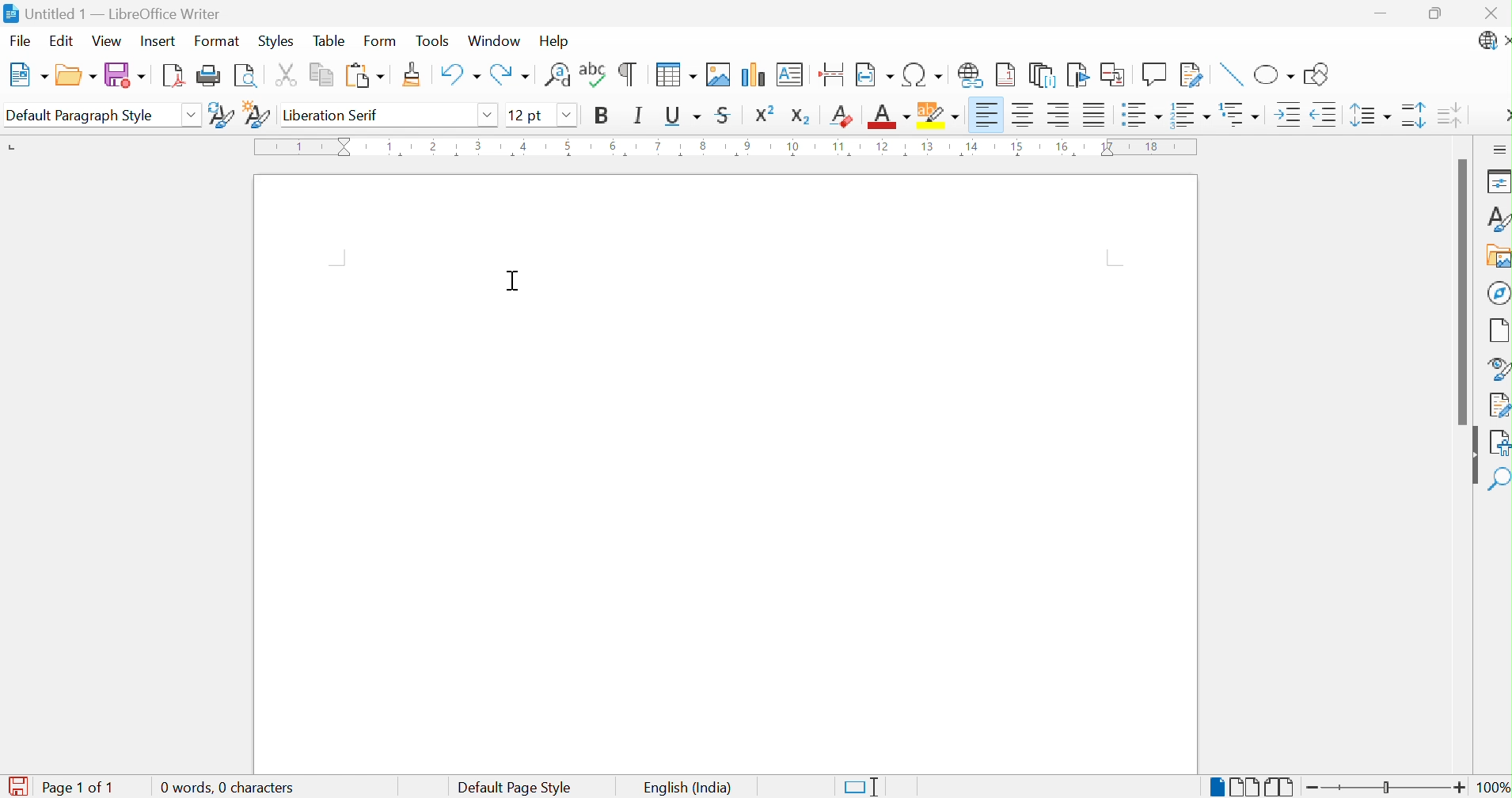 The image size is (1512, 798). I want to click on 0 words, 0 characters, so click(227, 788).